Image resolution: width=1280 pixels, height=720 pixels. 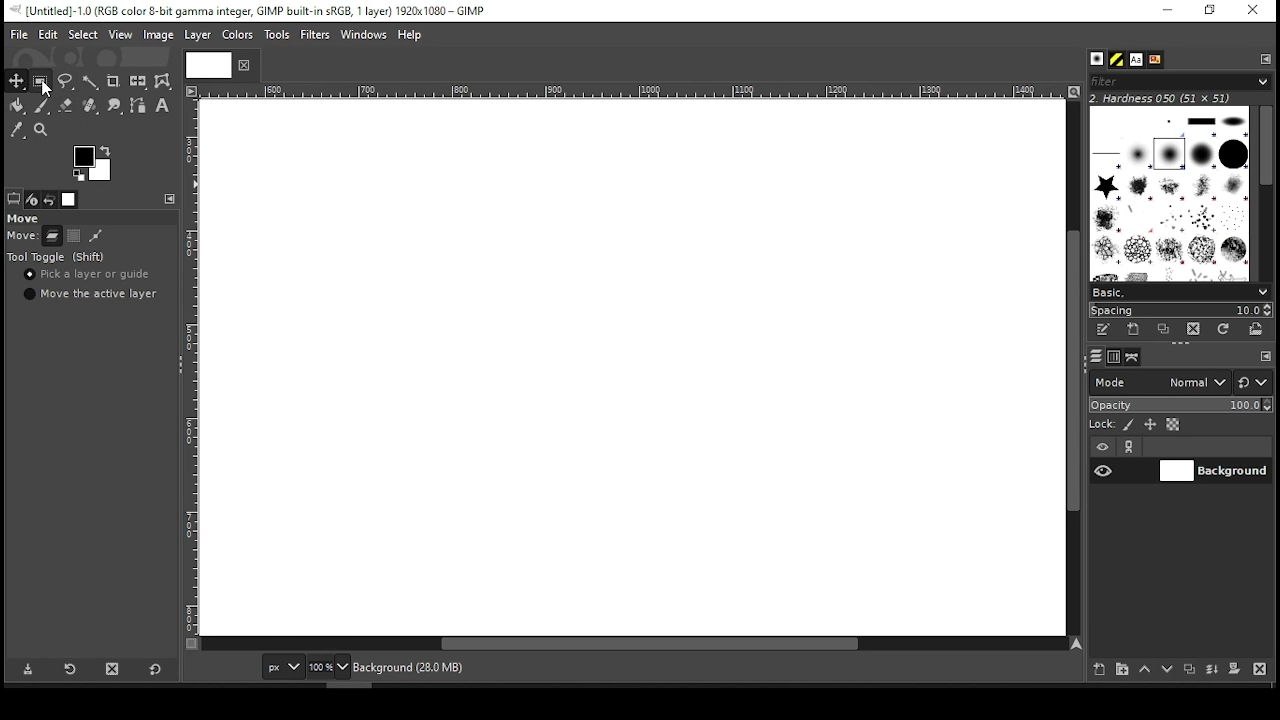 What do you see at coordinates (1103, 426) in the screenshot?
I see `lock:` at bounding box center [1103, 426].